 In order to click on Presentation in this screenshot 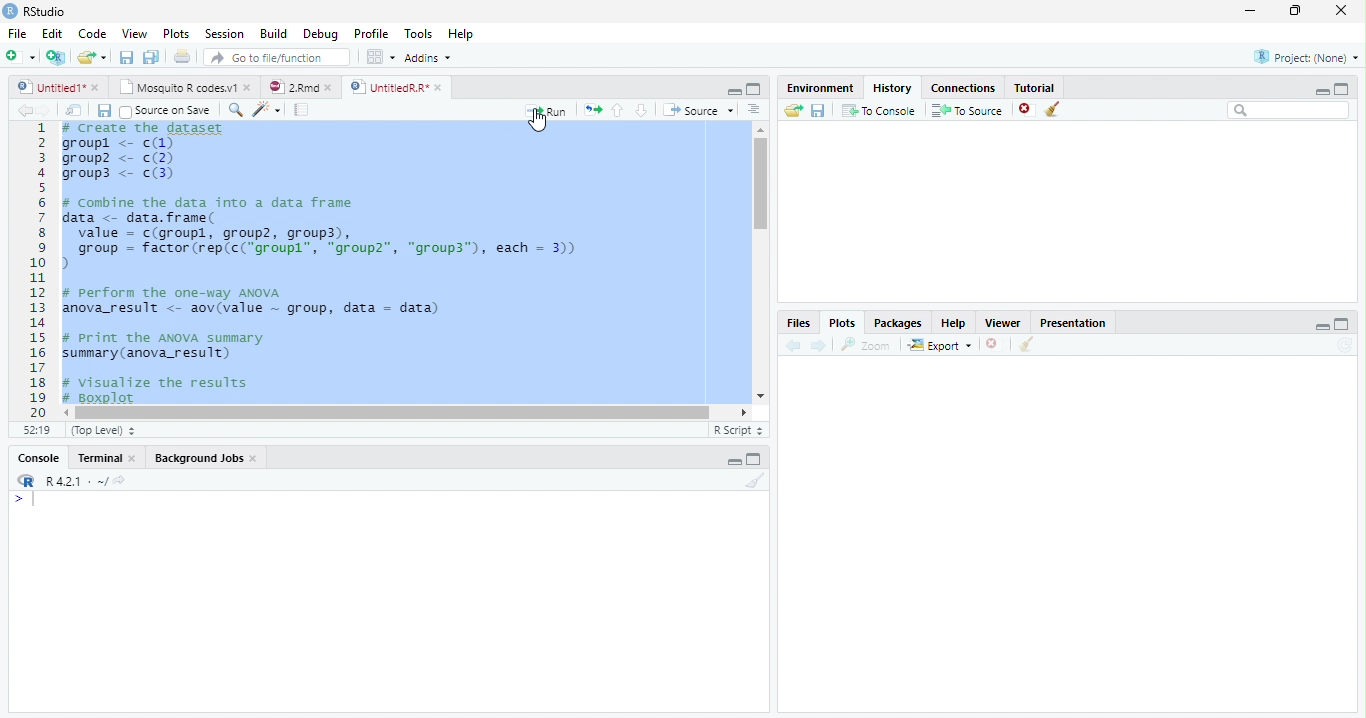, I will do `click(1081, 321)`.